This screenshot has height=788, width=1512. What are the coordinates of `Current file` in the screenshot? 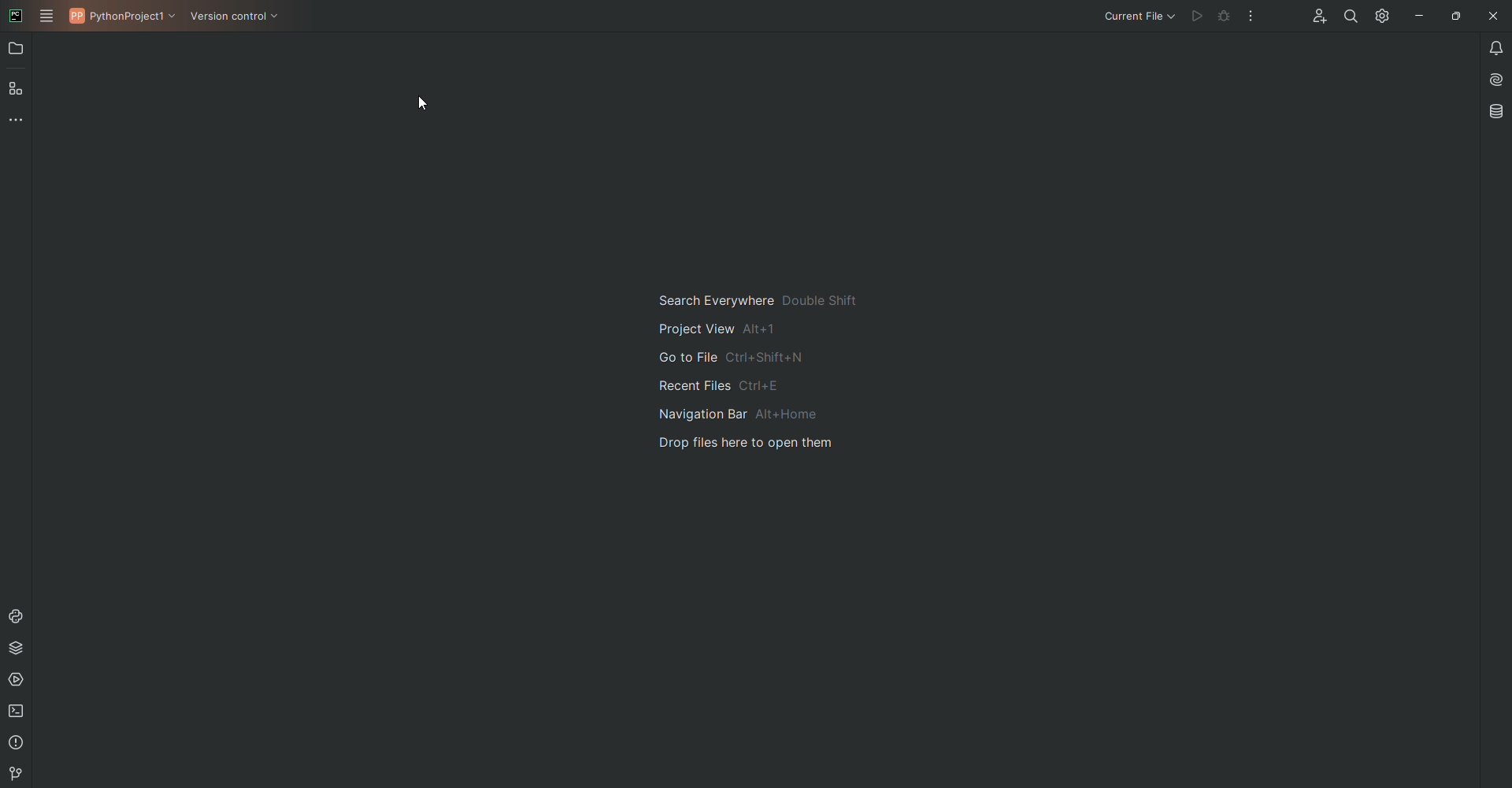 It's located at (1138, 17).